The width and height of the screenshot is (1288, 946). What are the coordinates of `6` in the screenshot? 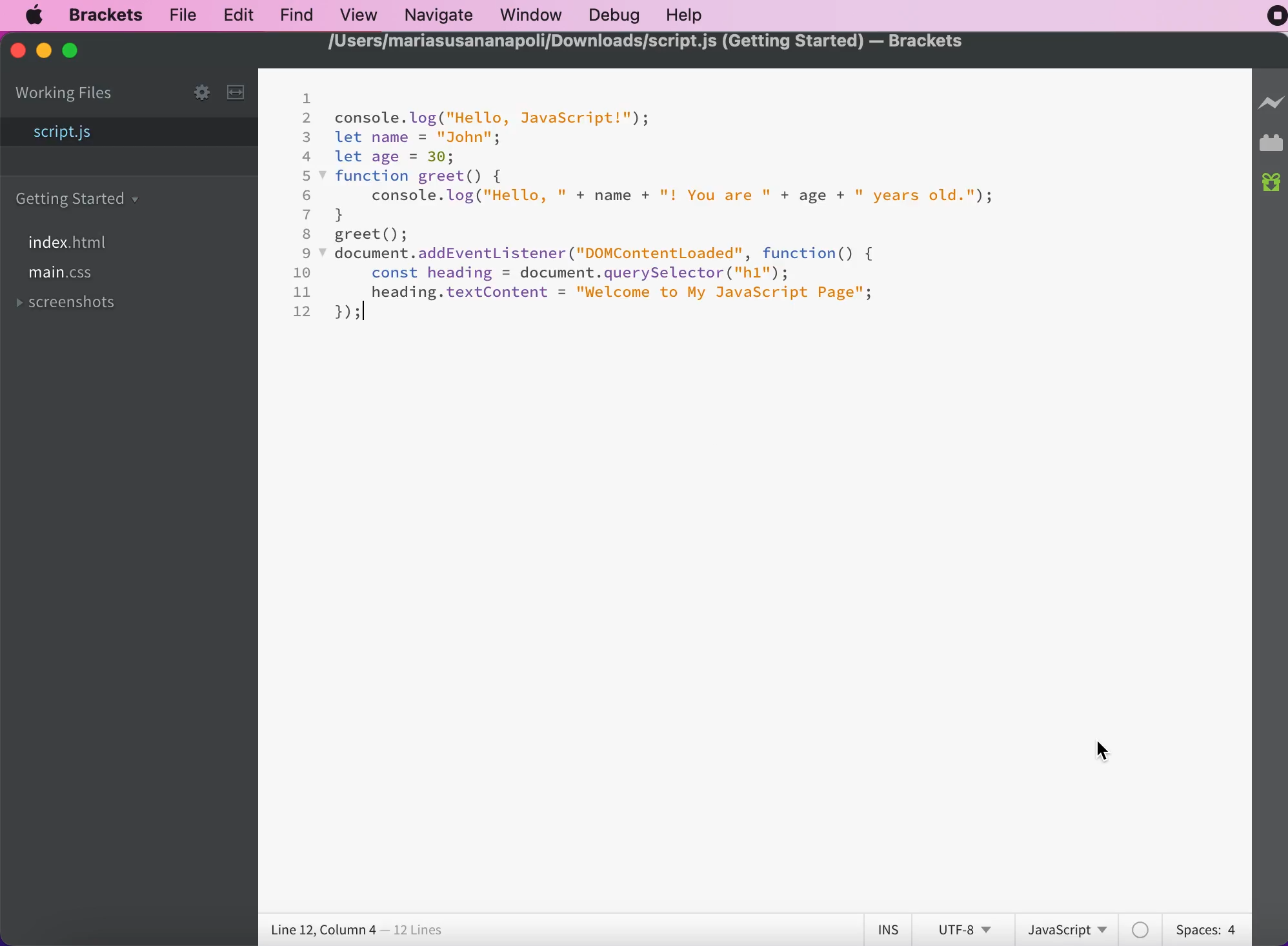 It's located at (307, 196).